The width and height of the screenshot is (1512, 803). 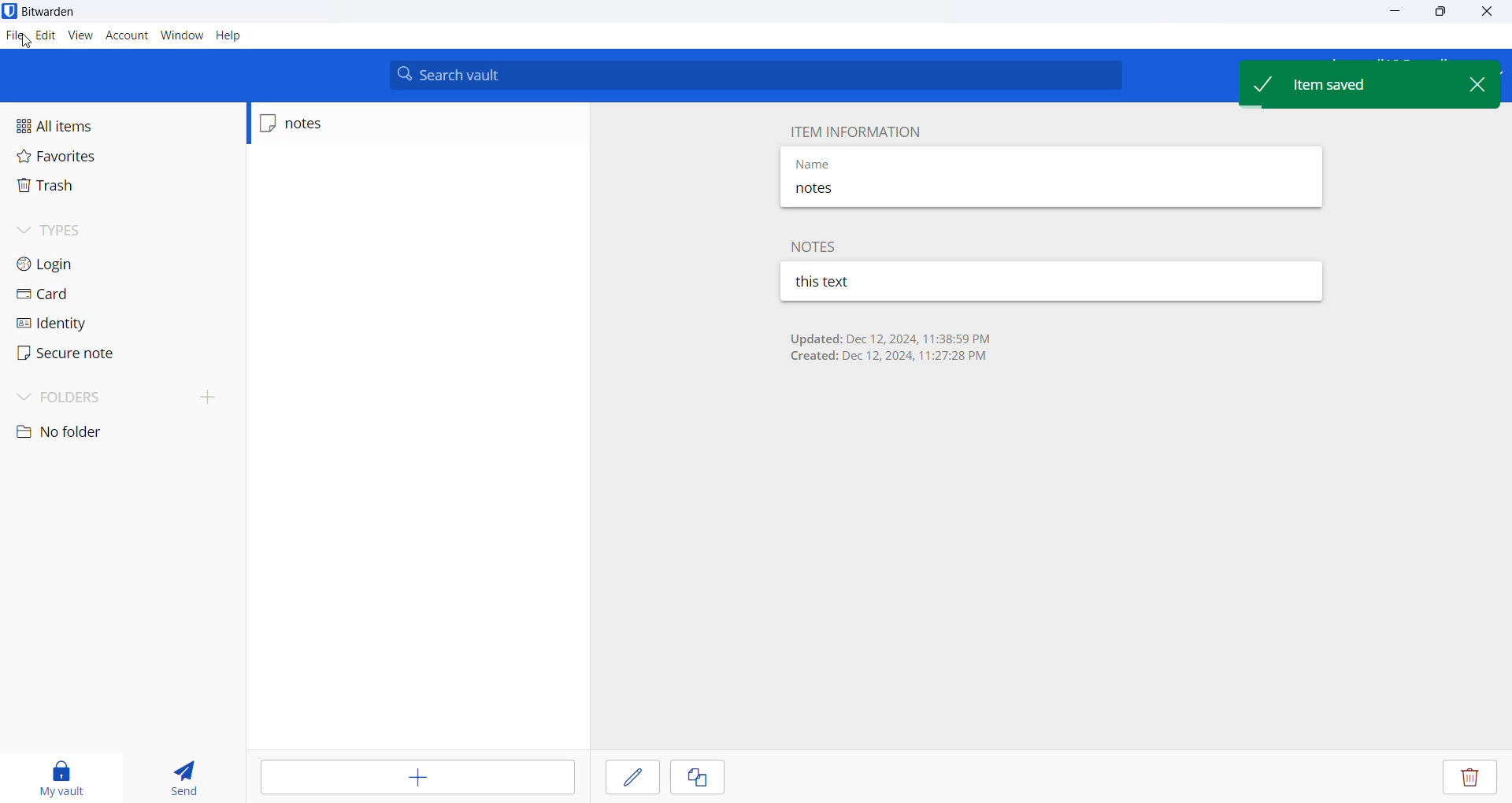 I want to click on search vault, so click(x=758, y=75).